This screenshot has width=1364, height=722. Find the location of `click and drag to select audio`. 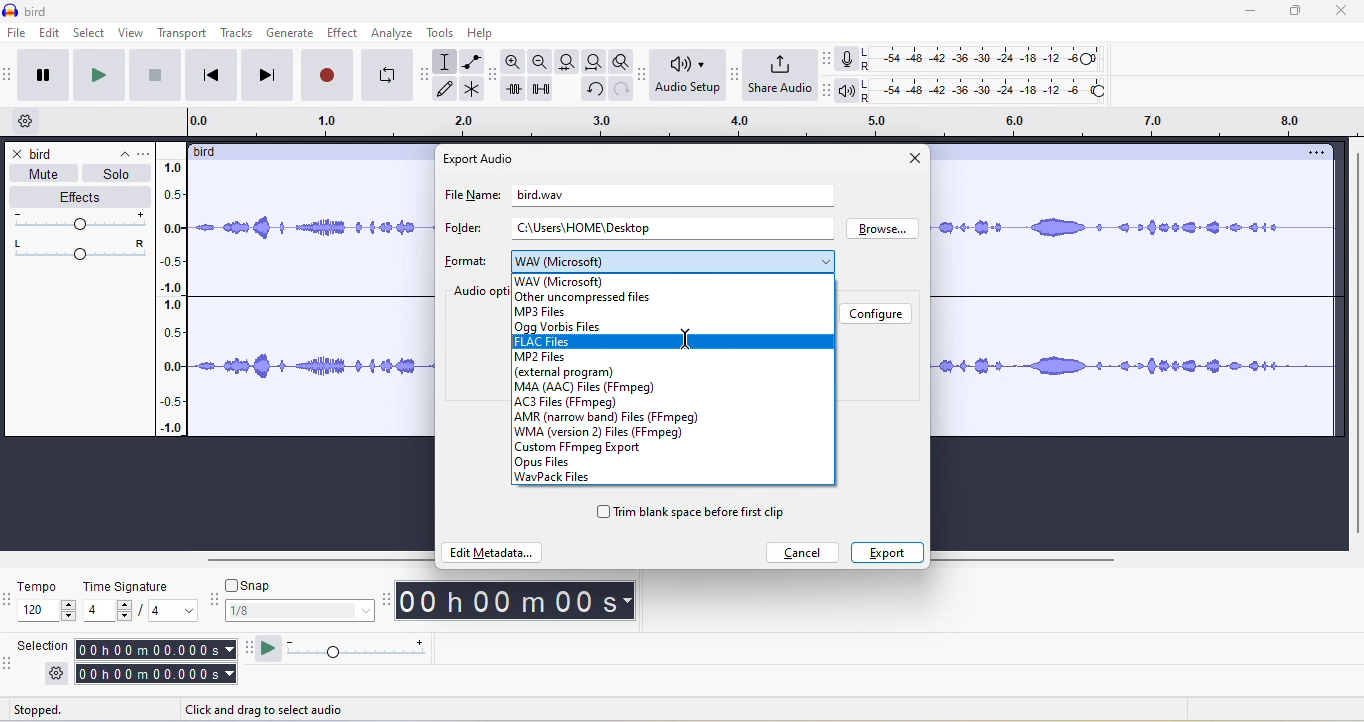

click and drag to select audio is located at coordinates (282, 707).